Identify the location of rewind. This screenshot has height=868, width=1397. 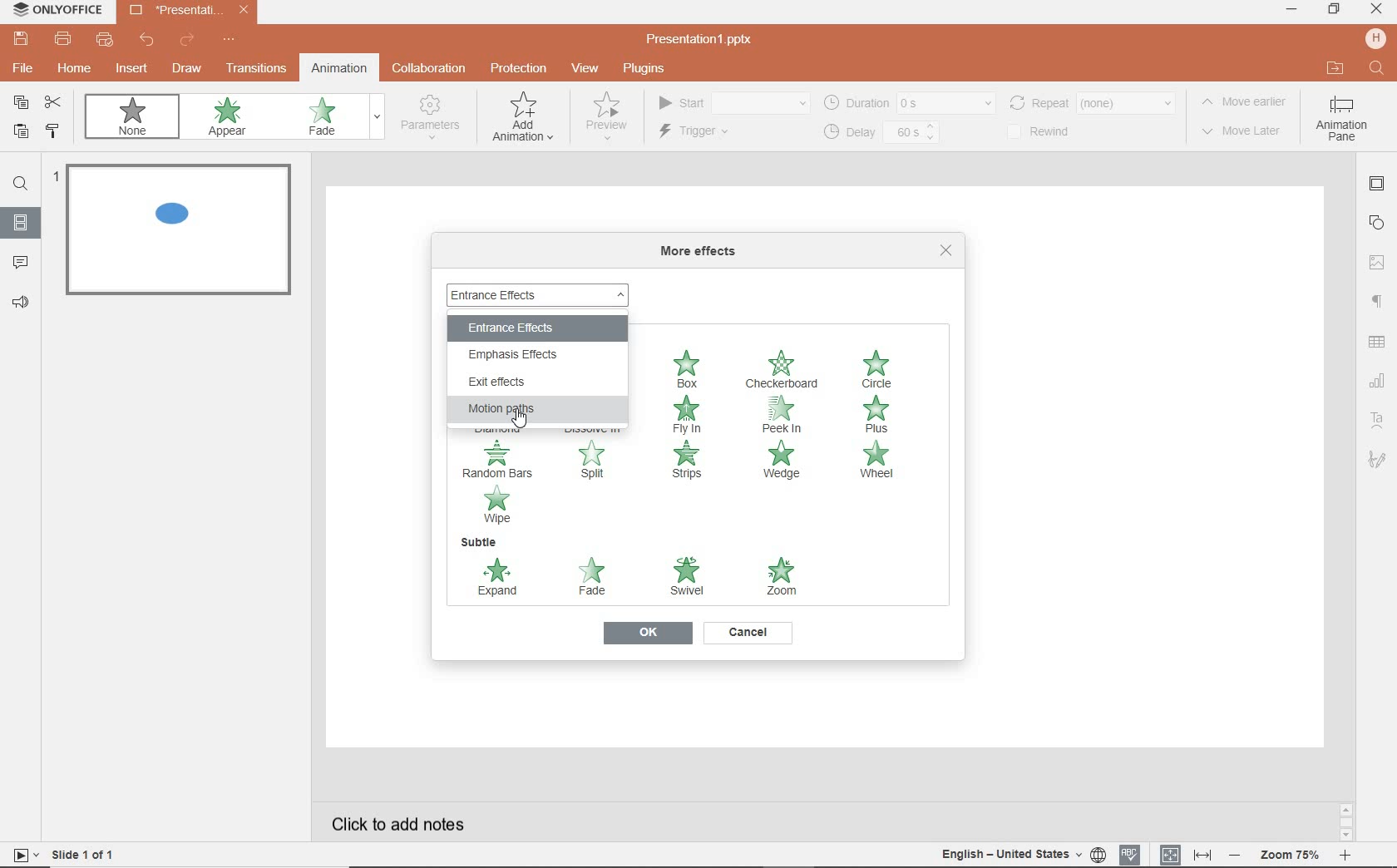
(1049, 132).